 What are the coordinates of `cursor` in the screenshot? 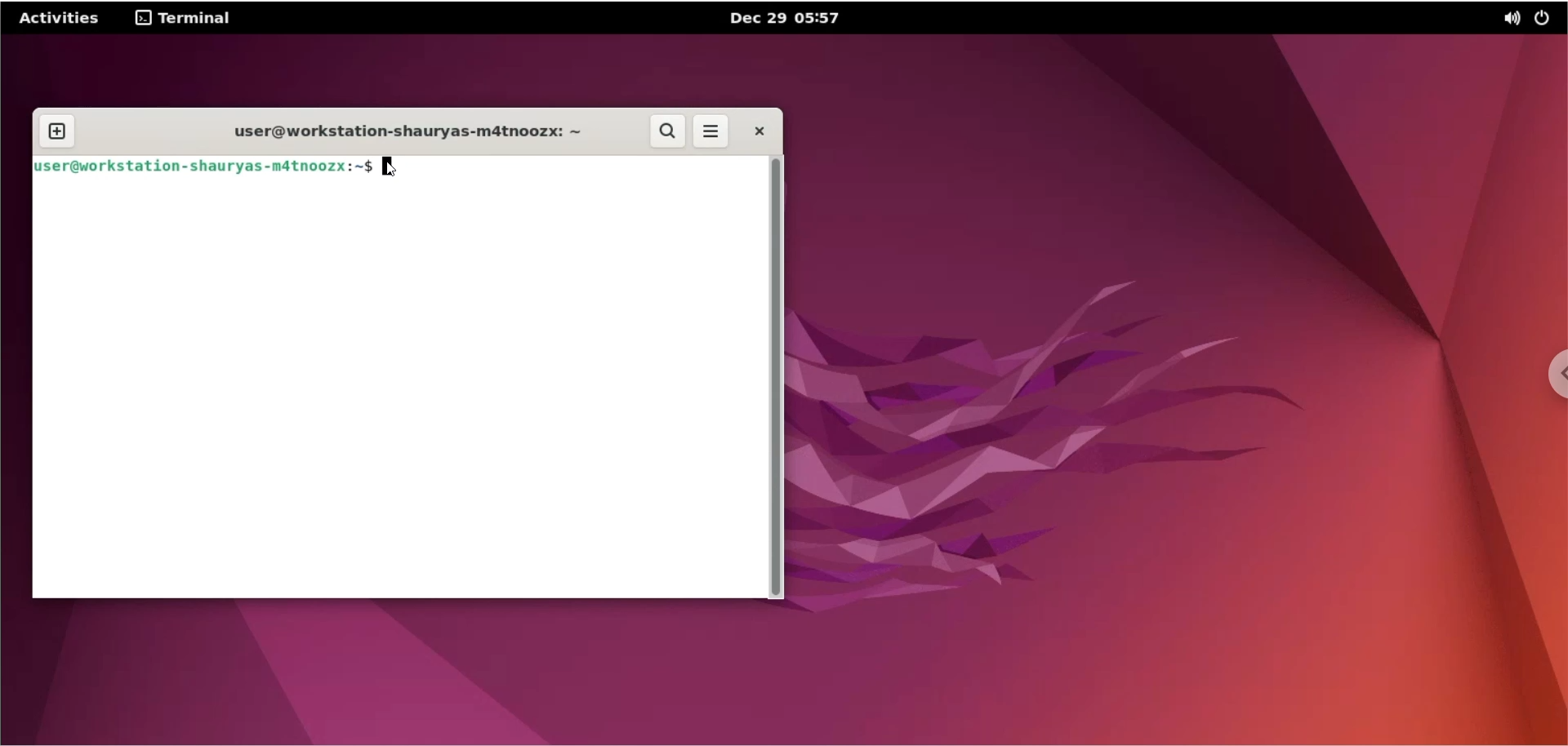 It's located at (390, 166).